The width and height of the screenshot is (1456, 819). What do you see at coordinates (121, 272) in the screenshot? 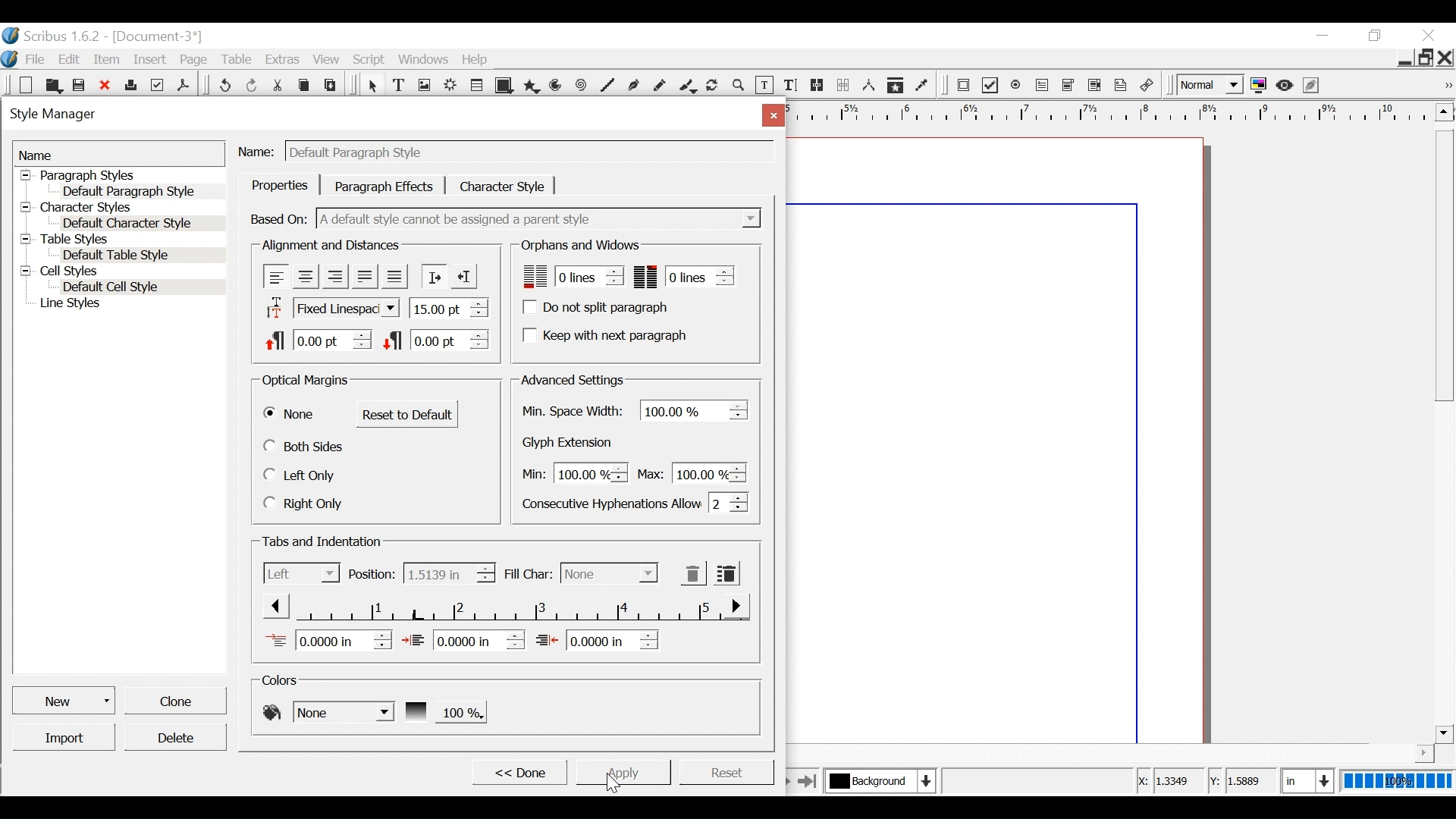
I see `Cell Styles` at bounding box center [121, 272].